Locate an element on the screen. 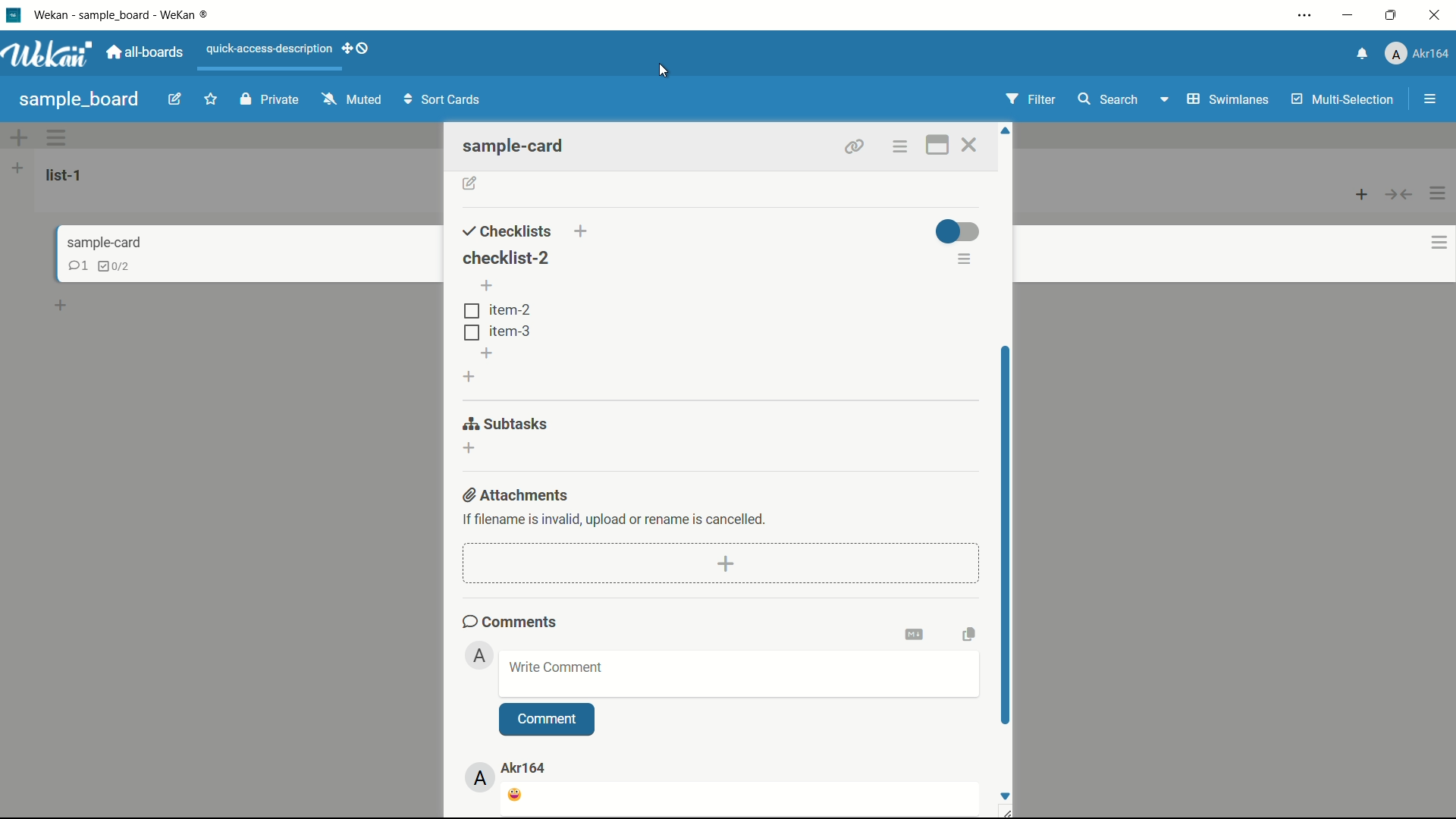 This screenshot has height=819, width=1456. checklists is located at coordinates (507, 231).